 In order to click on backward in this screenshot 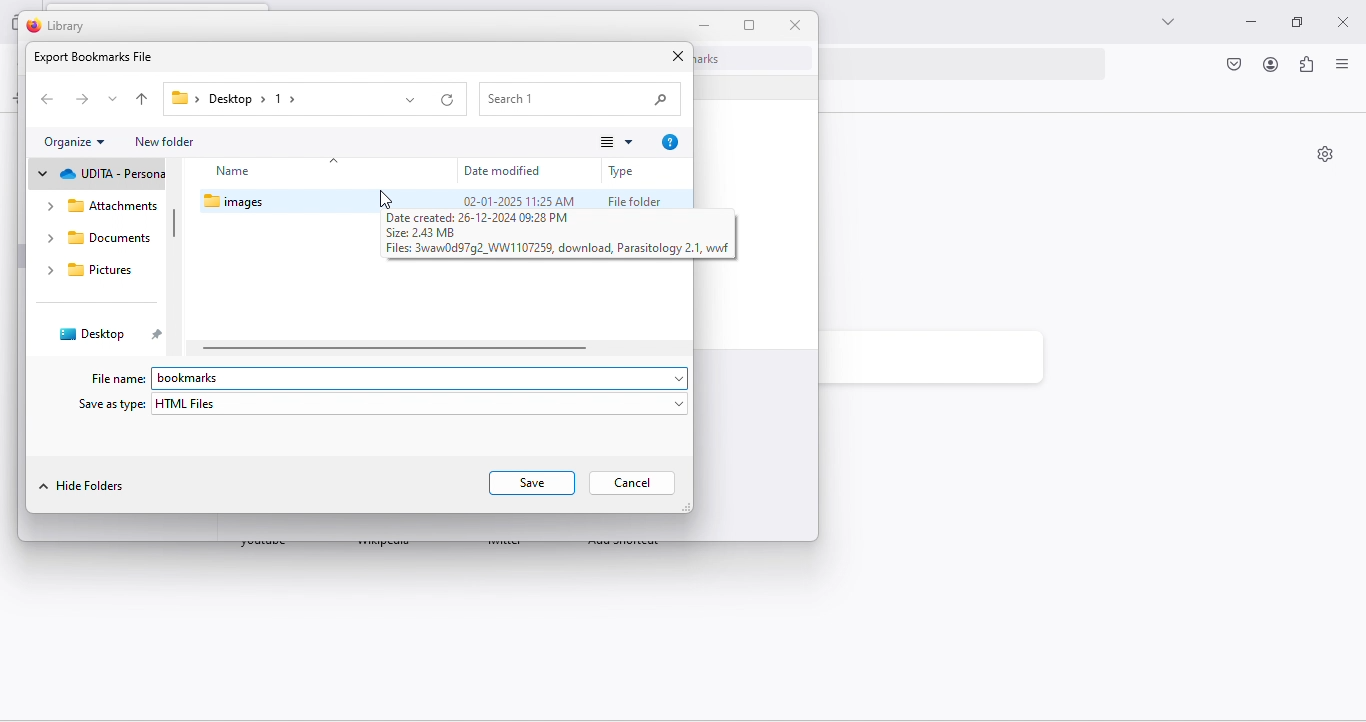, I will do `click(44, 99)`.